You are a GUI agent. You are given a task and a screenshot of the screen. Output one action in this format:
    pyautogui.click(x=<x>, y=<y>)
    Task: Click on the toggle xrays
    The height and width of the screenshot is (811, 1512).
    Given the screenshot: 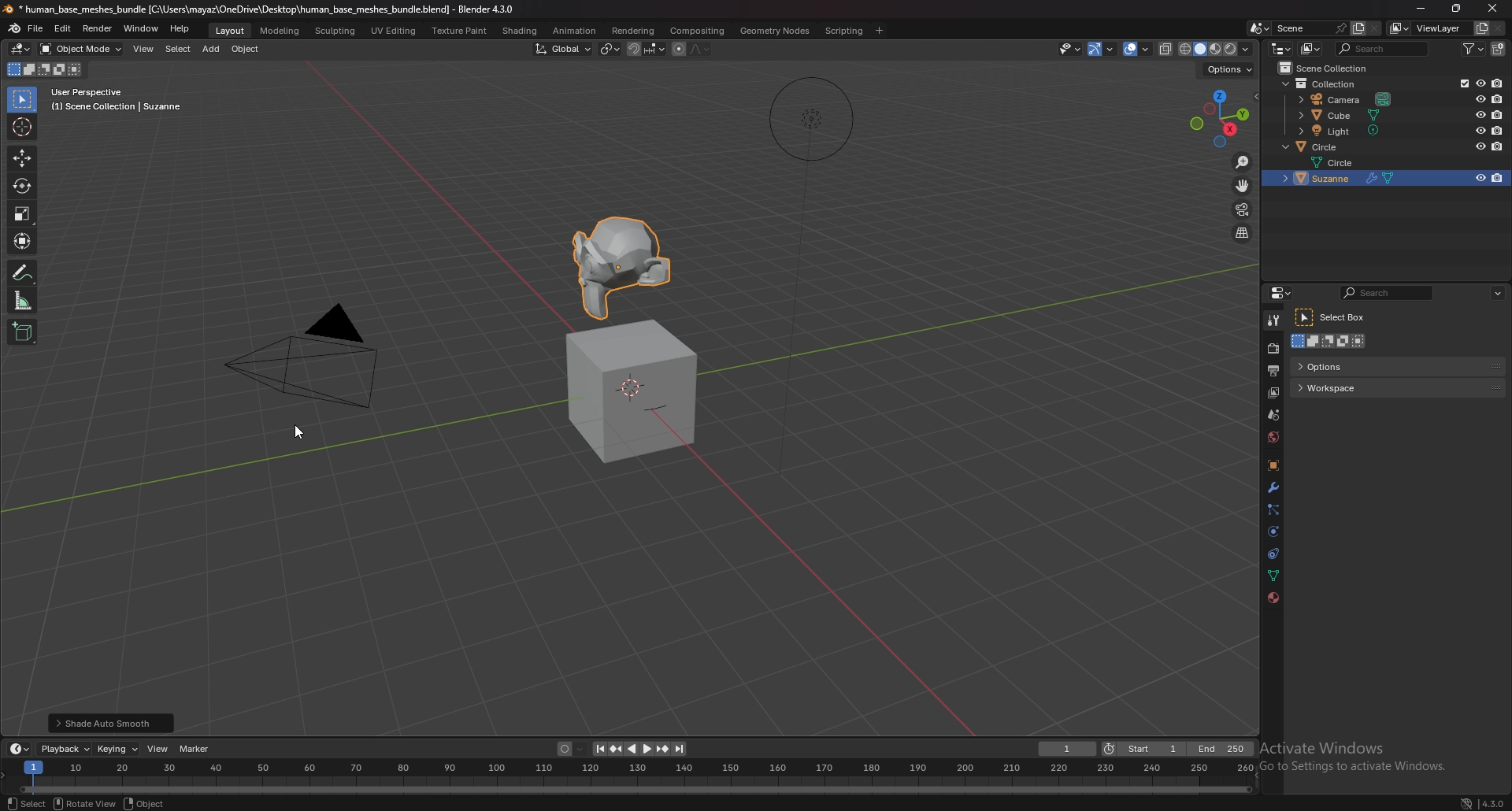 What is the action you would take?
    pyautogui.click(x=1166, y=48)
    